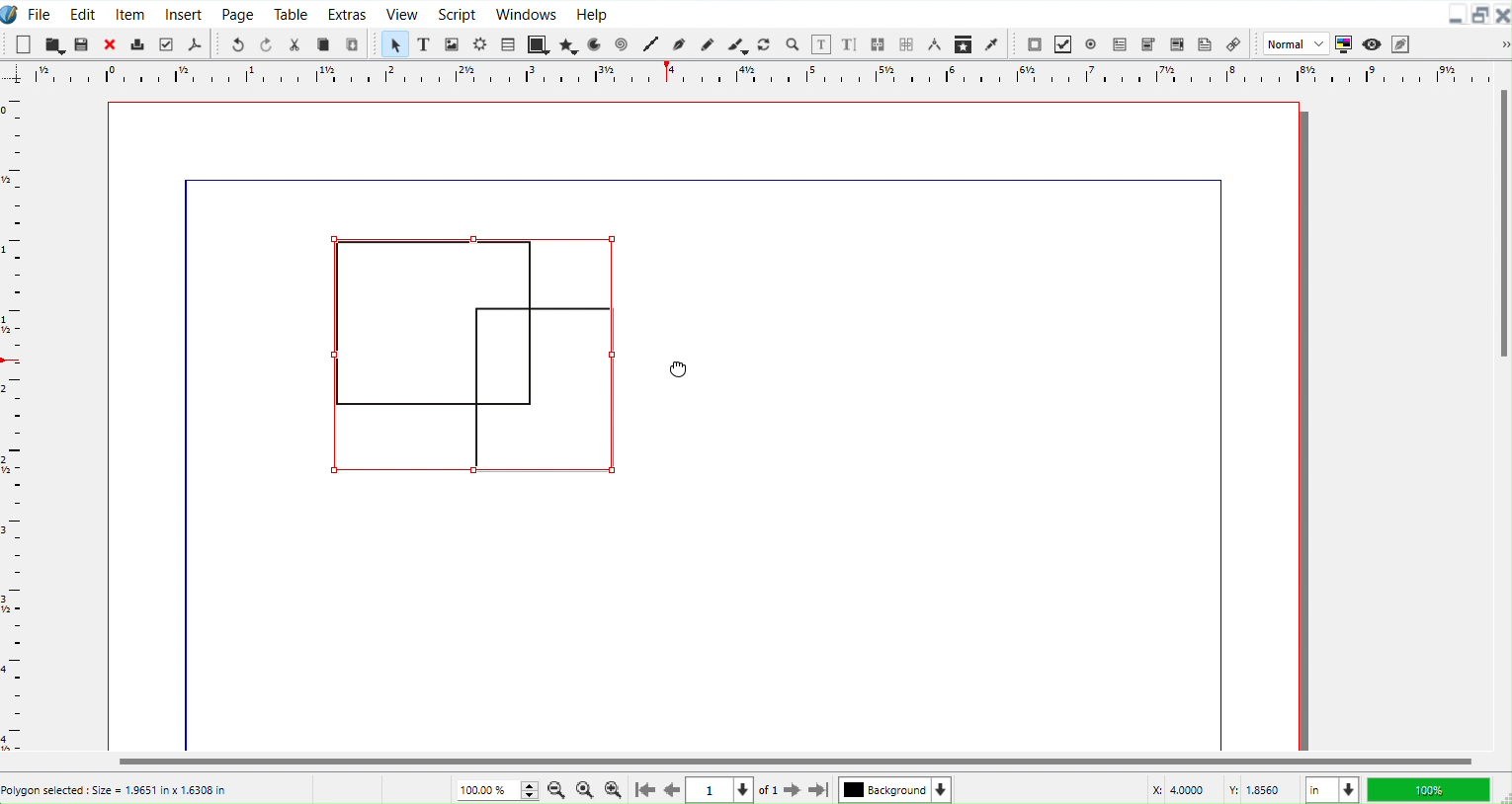 This screenshot has height=804, width=1512. Describe the element at coordinates (643, 790) in the screenshot. I see `Go to First Page` at that location.